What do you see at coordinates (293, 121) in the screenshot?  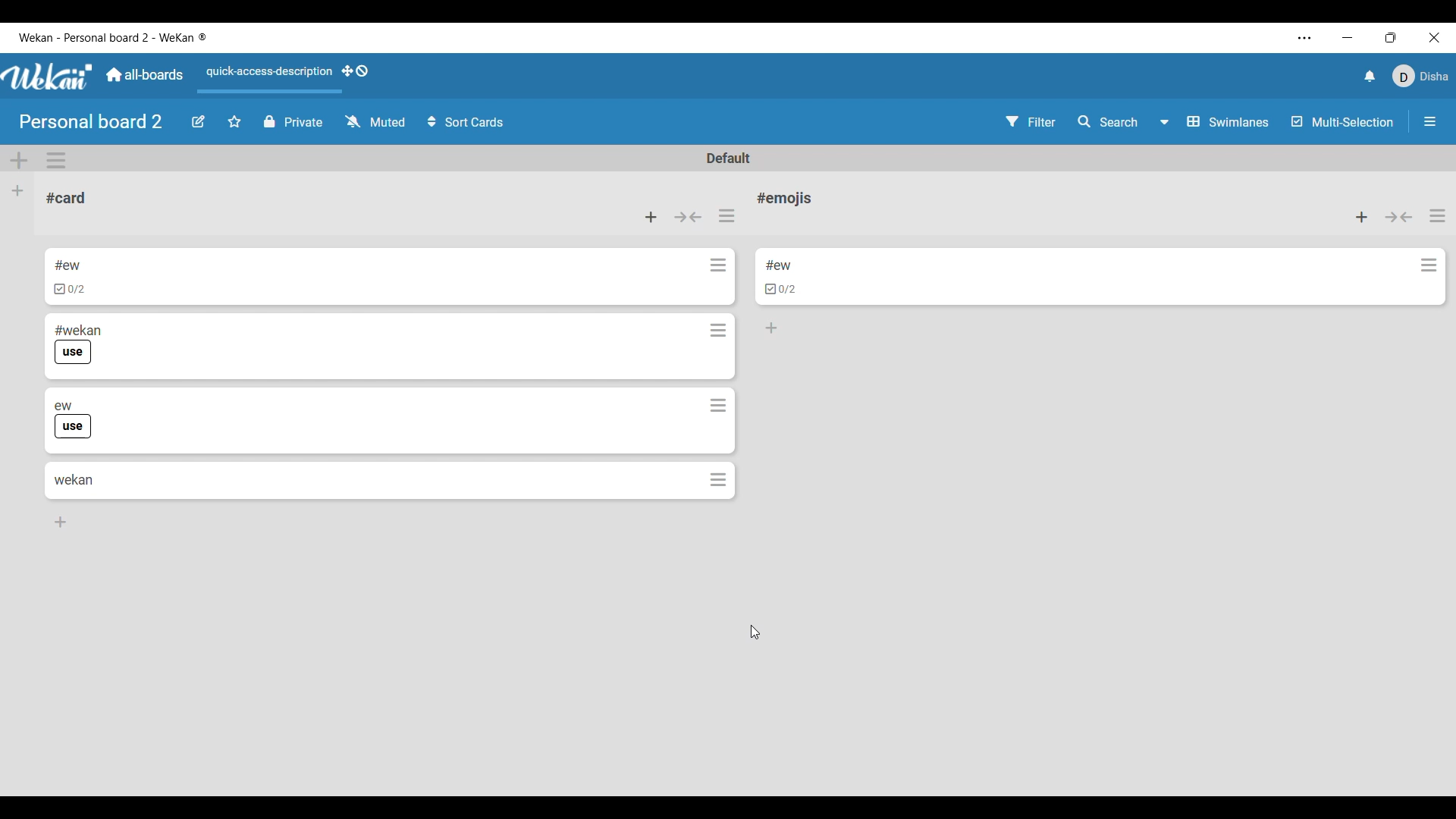 I see `Privacy of board` at bounding box center [293, 121].